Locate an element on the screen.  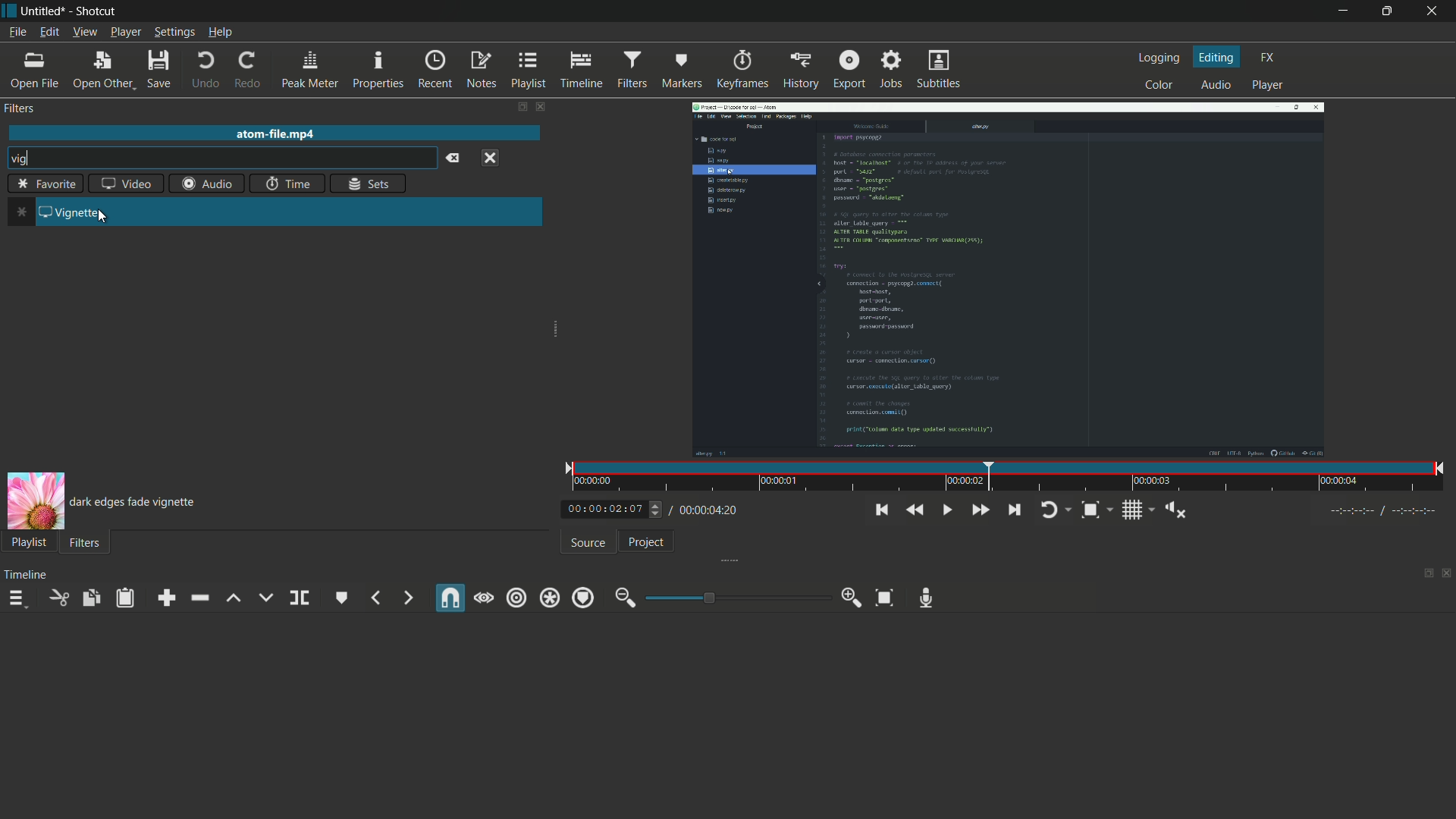
export is located at coordinates (849, 67).